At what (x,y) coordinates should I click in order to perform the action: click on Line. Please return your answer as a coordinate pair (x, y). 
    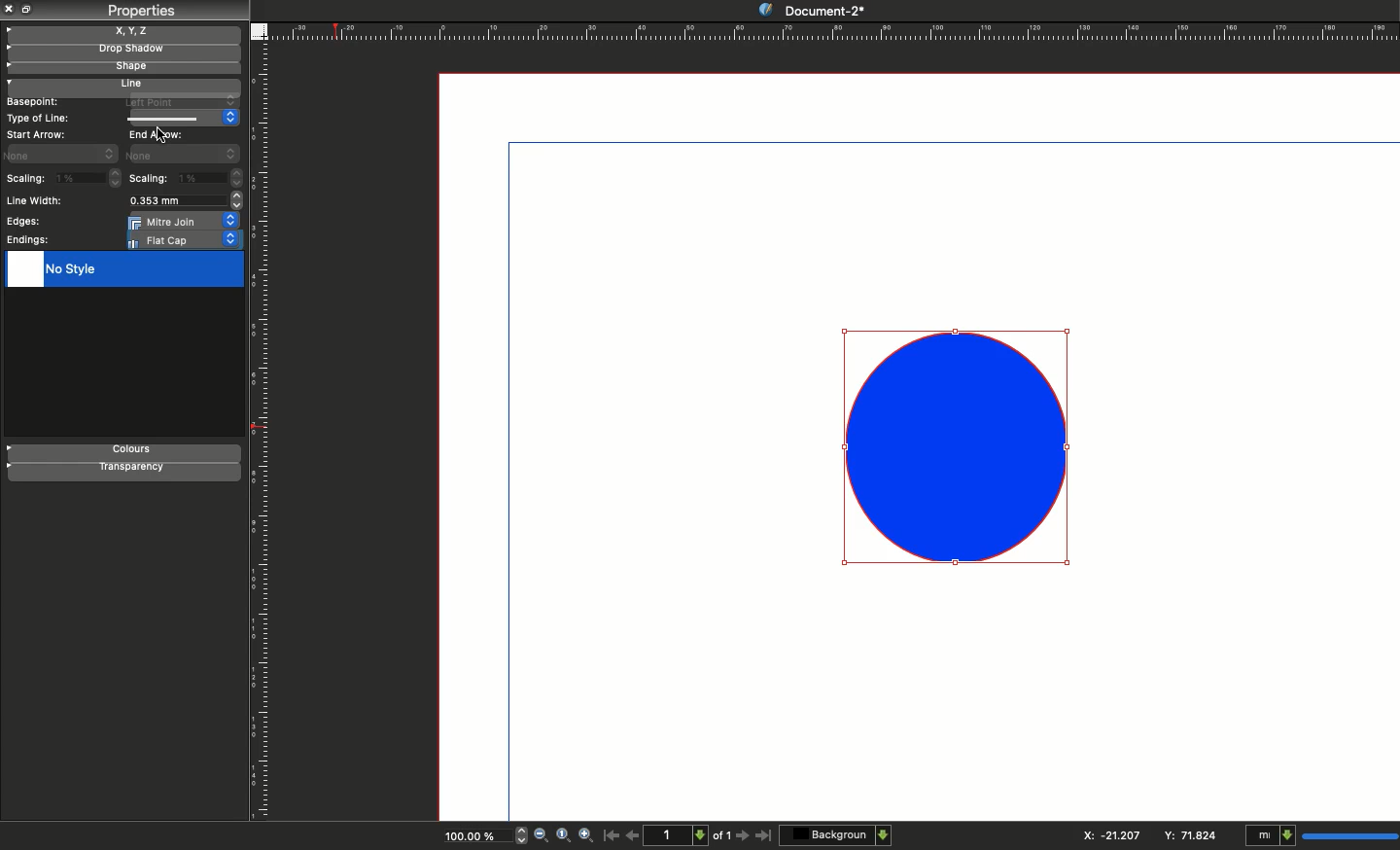
    Looking at the image, I should click on (183, 118).